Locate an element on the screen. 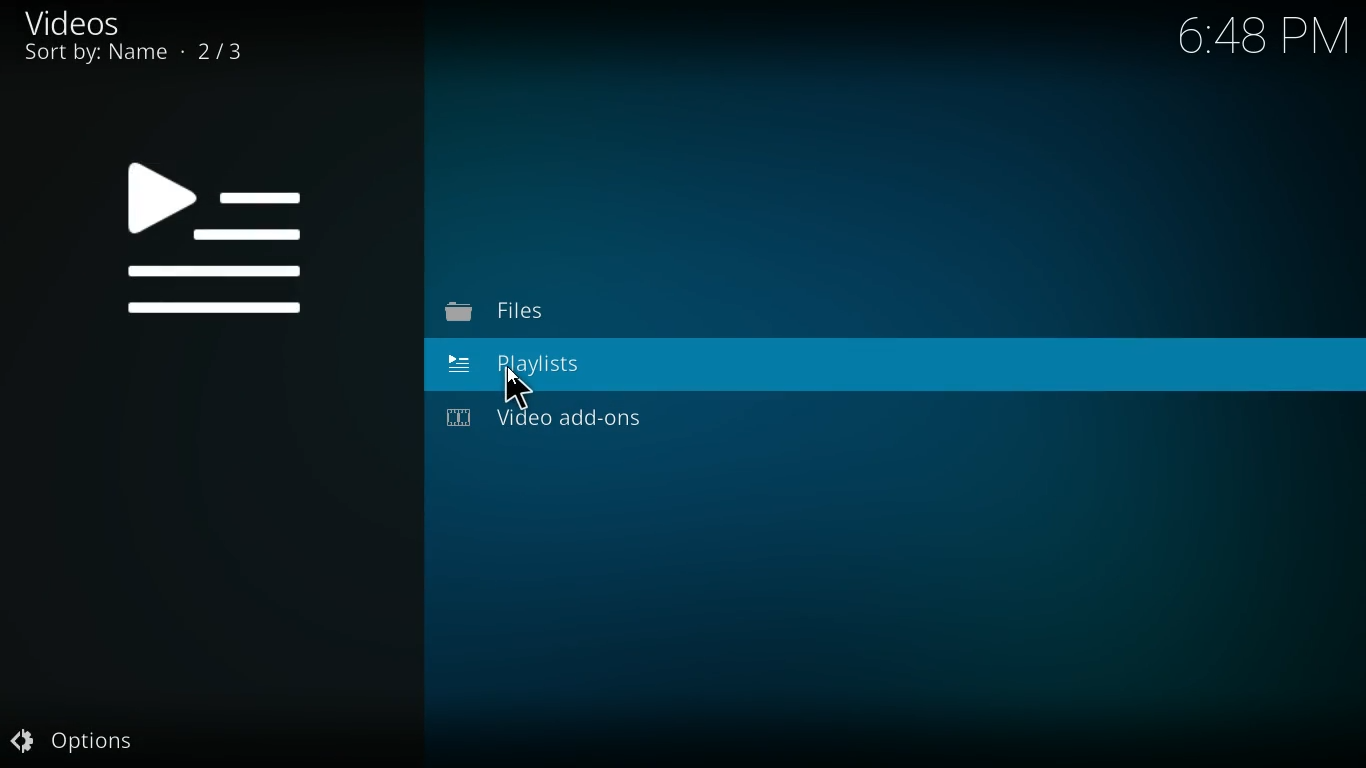  cursor is located at coordinates (519, 389).